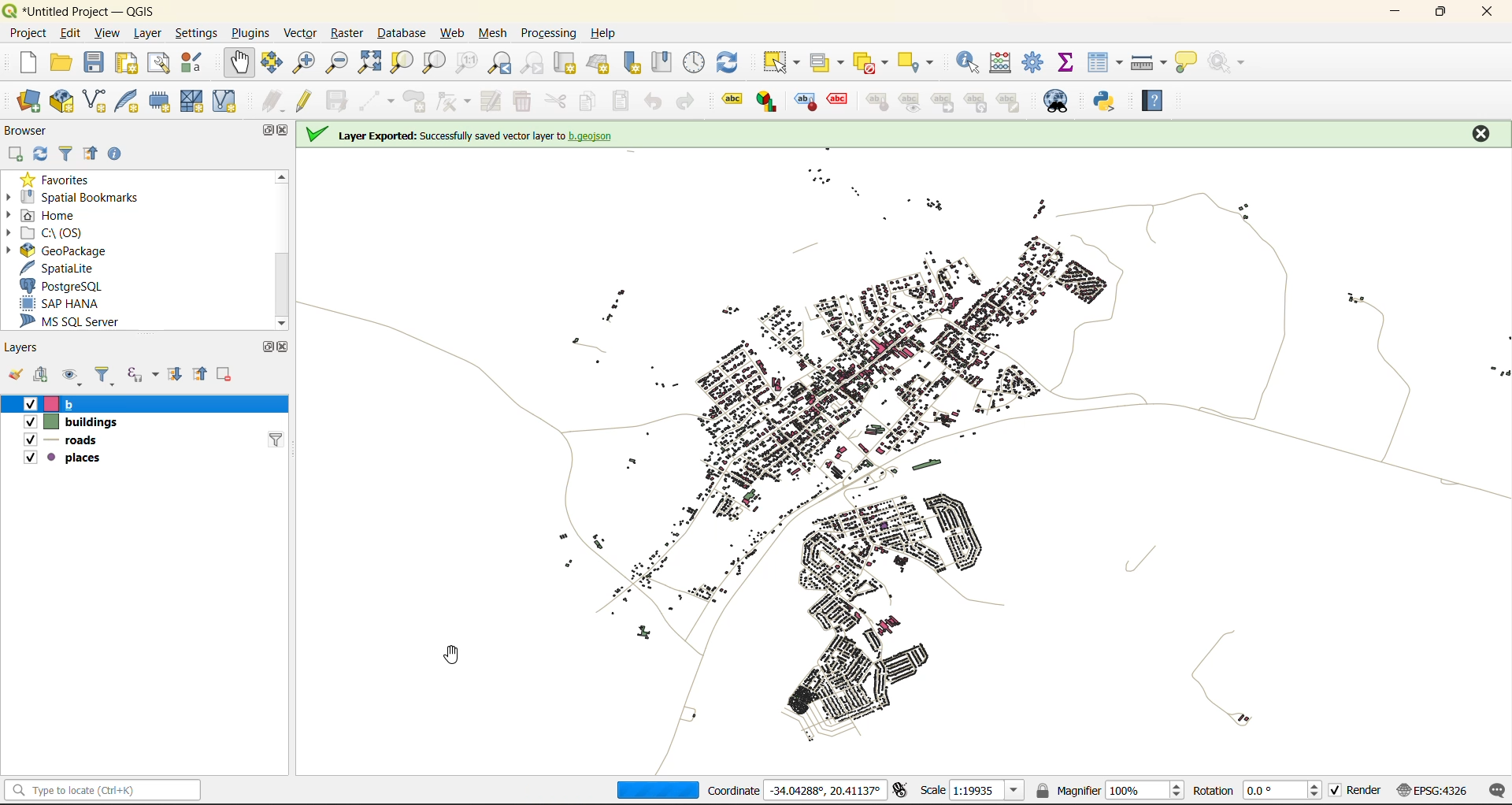 This screenshot has width=1512, height=805. What do you see at coordinates (619, 103) in the screenshot?
I see `paste` at bounding box center [619, 103].